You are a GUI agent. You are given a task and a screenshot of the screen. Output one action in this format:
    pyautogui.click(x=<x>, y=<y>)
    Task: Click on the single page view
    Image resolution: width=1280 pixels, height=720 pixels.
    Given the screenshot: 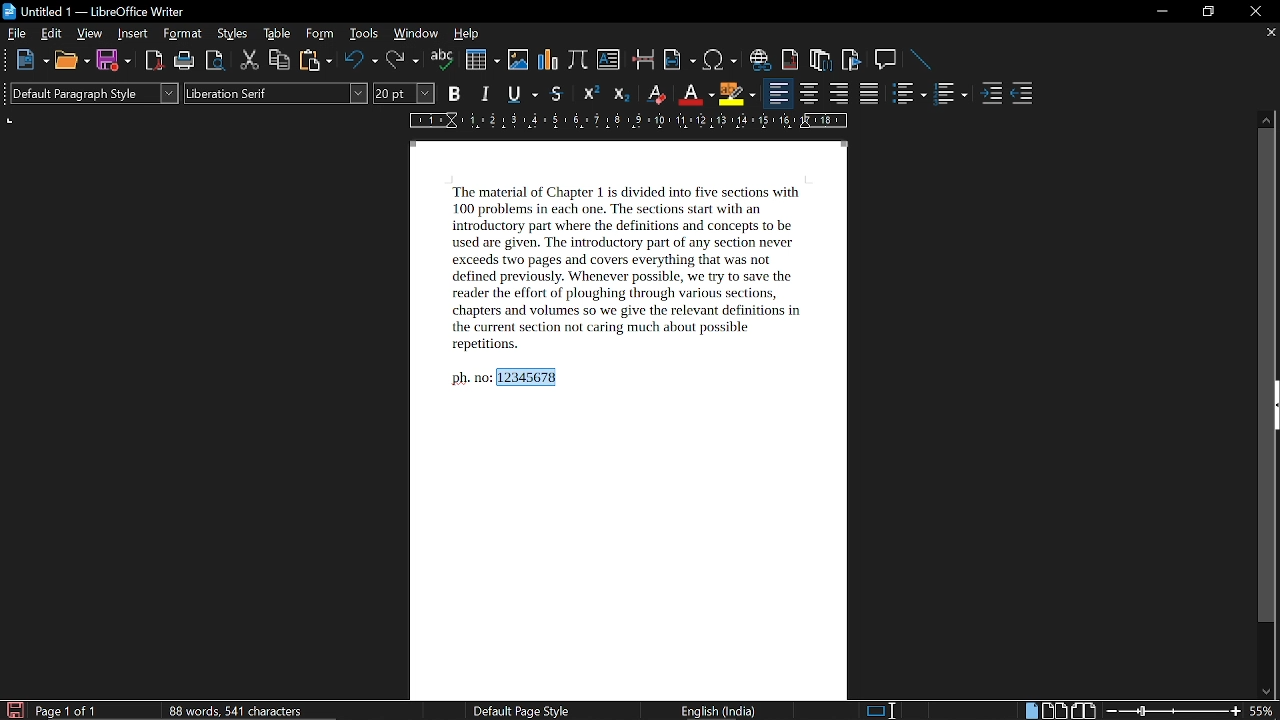 What is the action you would take?
    pyautogui.click(x=1030, y=710)
    